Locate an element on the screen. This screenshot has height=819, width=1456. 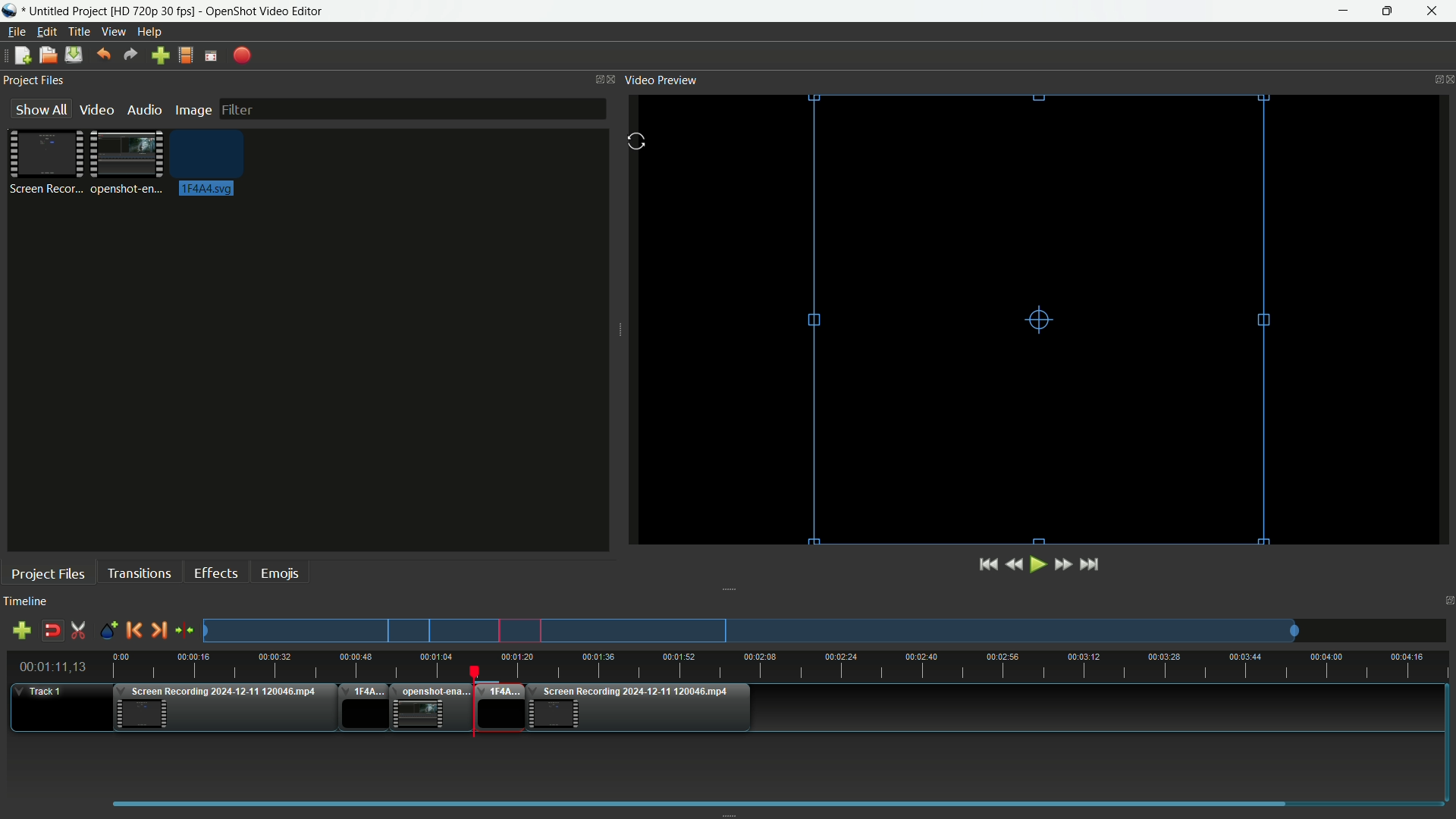
Video one in timeline is located at coordinates (222, 711).